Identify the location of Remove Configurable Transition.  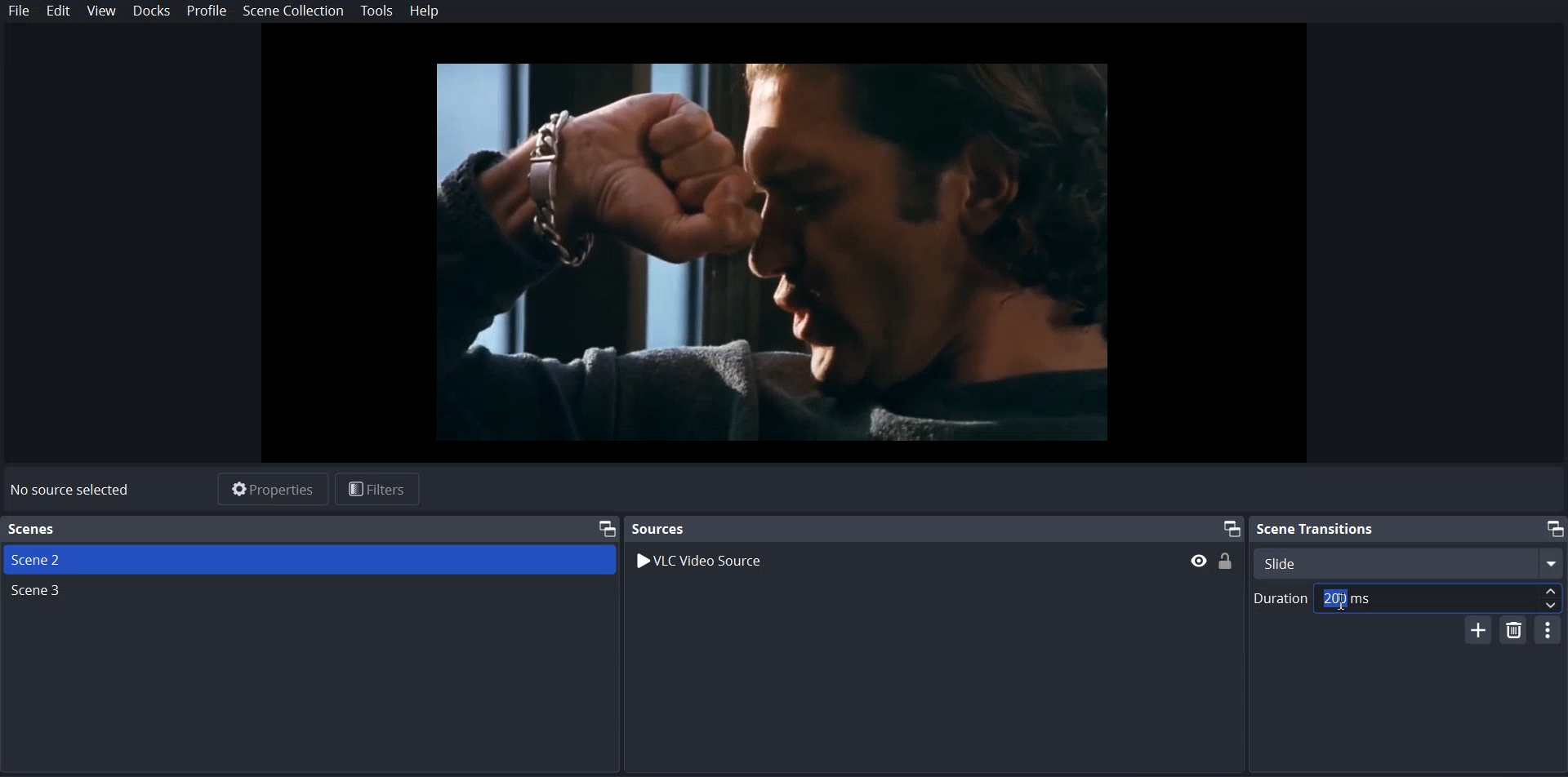
(1516, 628).